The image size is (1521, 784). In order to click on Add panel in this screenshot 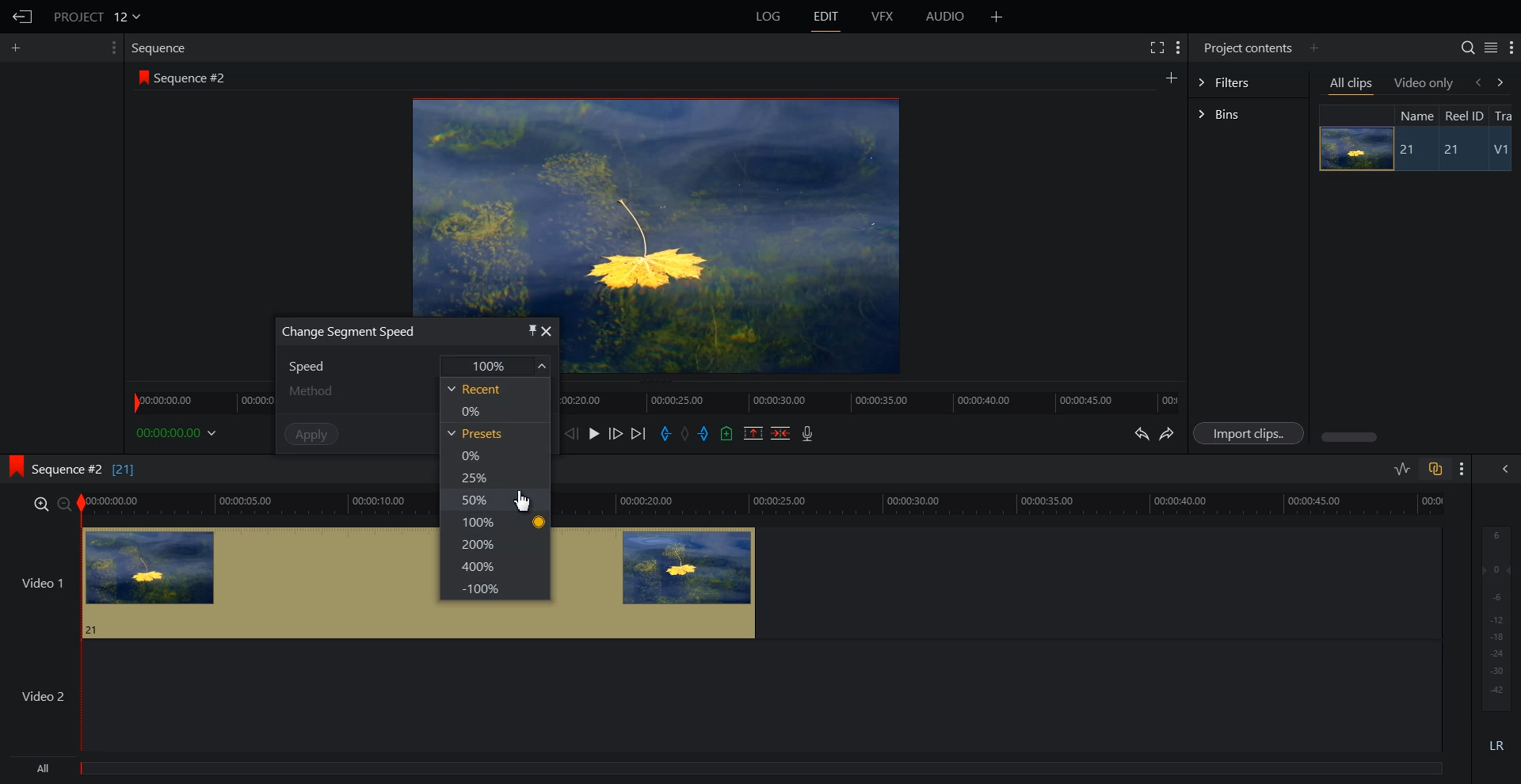, I will do `click(1171, 77)`.